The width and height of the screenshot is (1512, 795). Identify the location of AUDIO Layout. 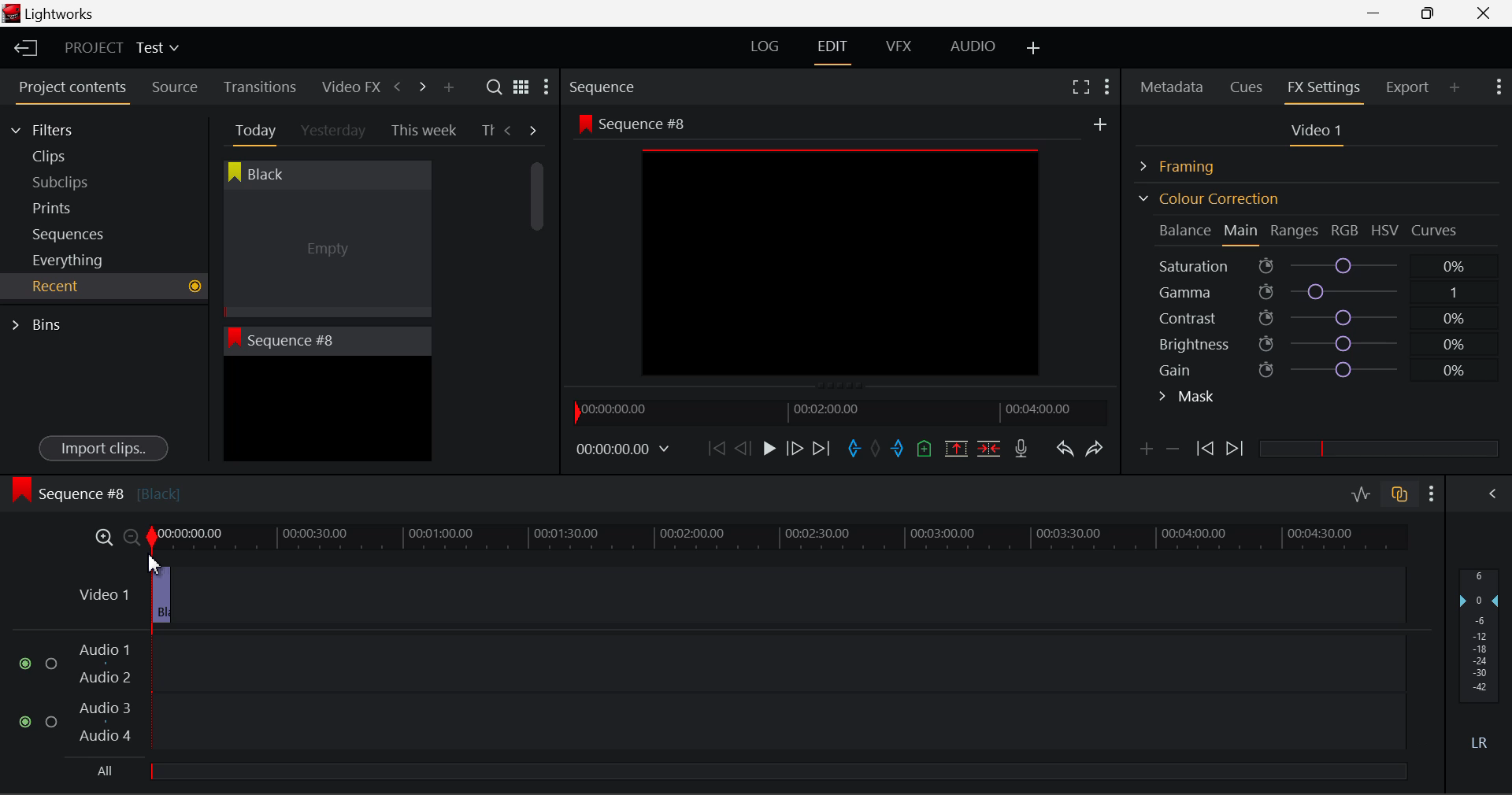
(972, 46).